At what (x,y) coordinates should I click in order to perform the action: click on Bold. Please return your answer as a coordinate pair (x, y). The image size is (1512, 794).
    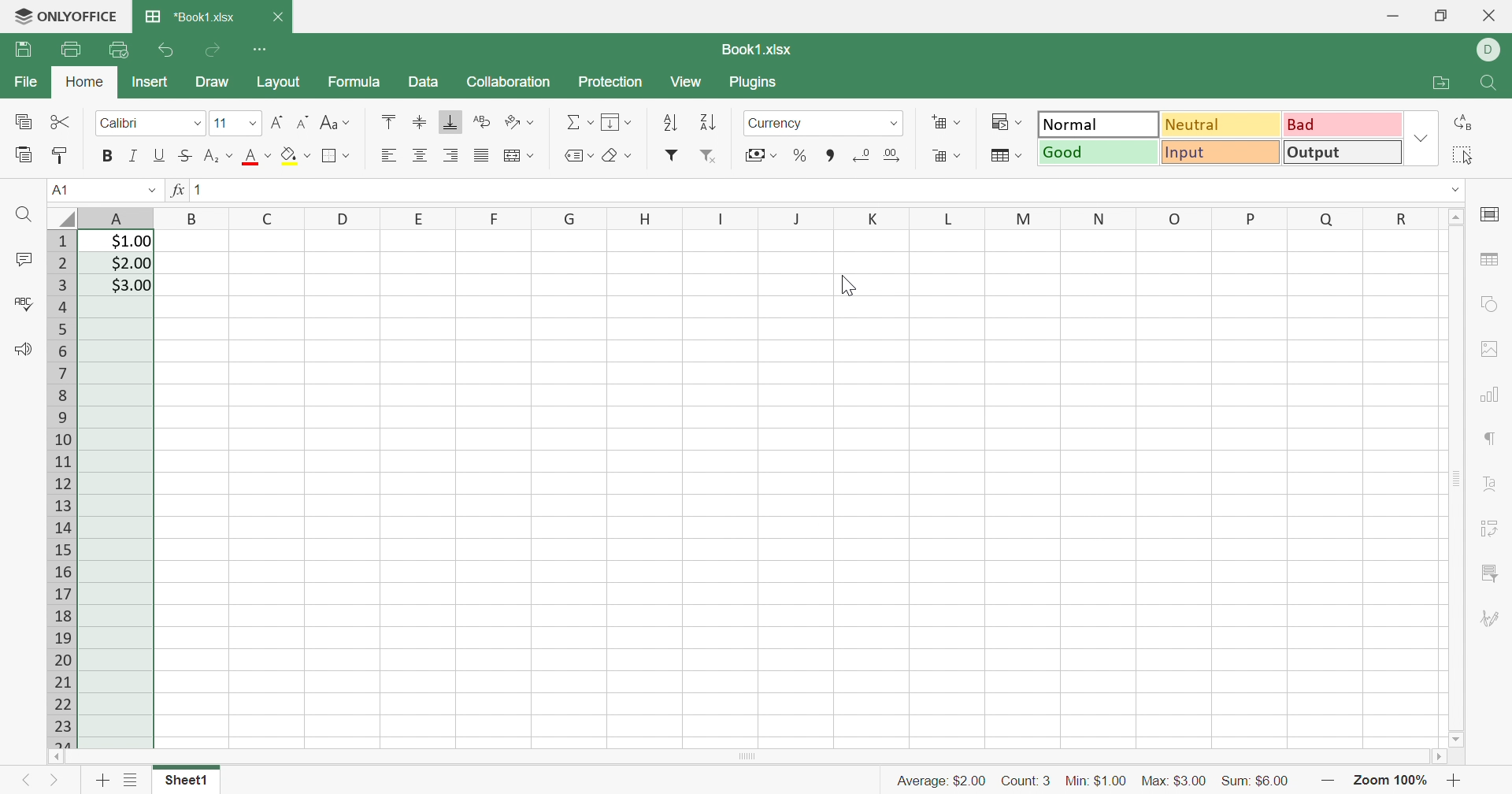
    Looking at the image, I should click on (108, 155).